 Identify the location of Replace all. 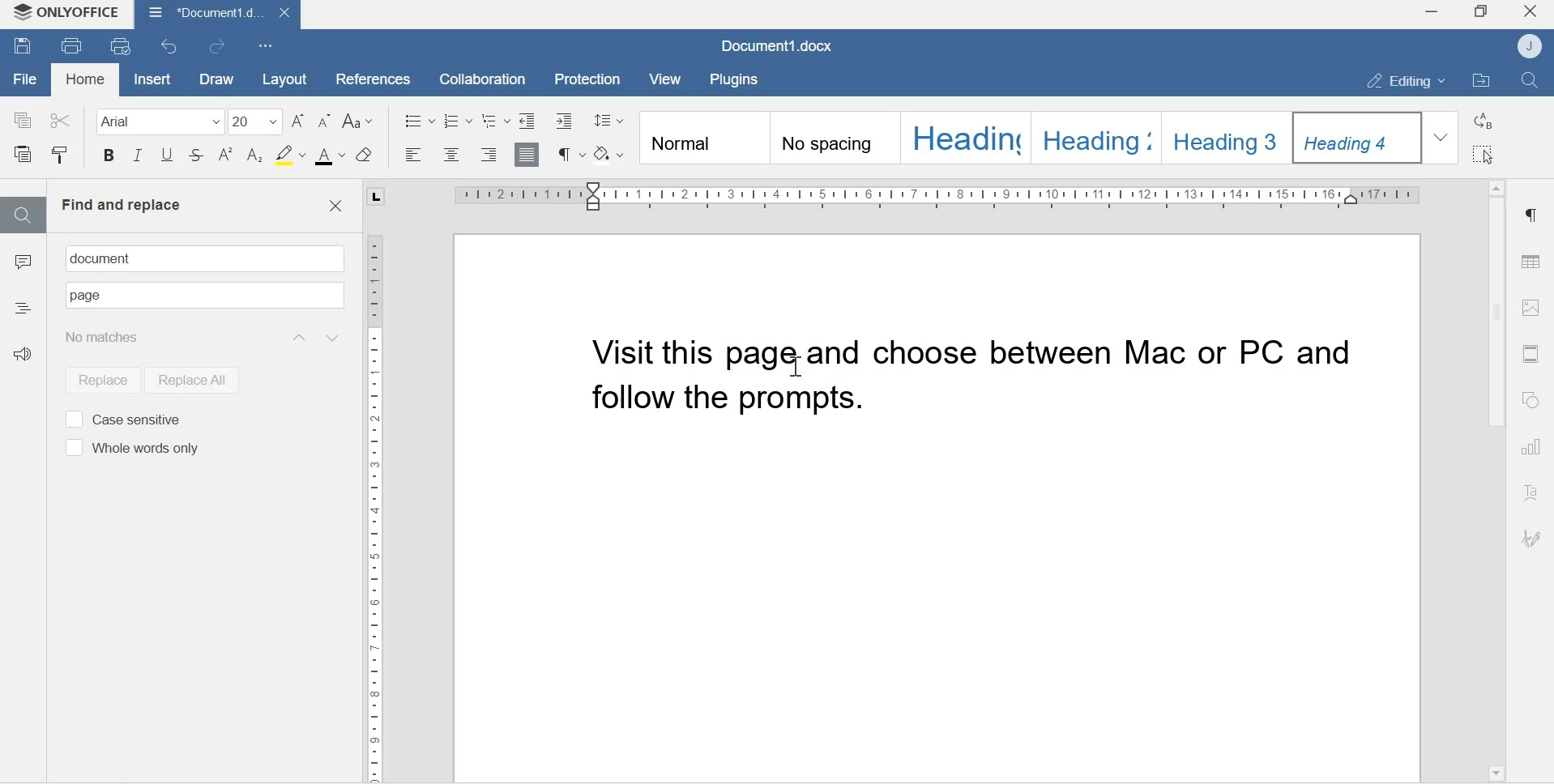
(190, 379).